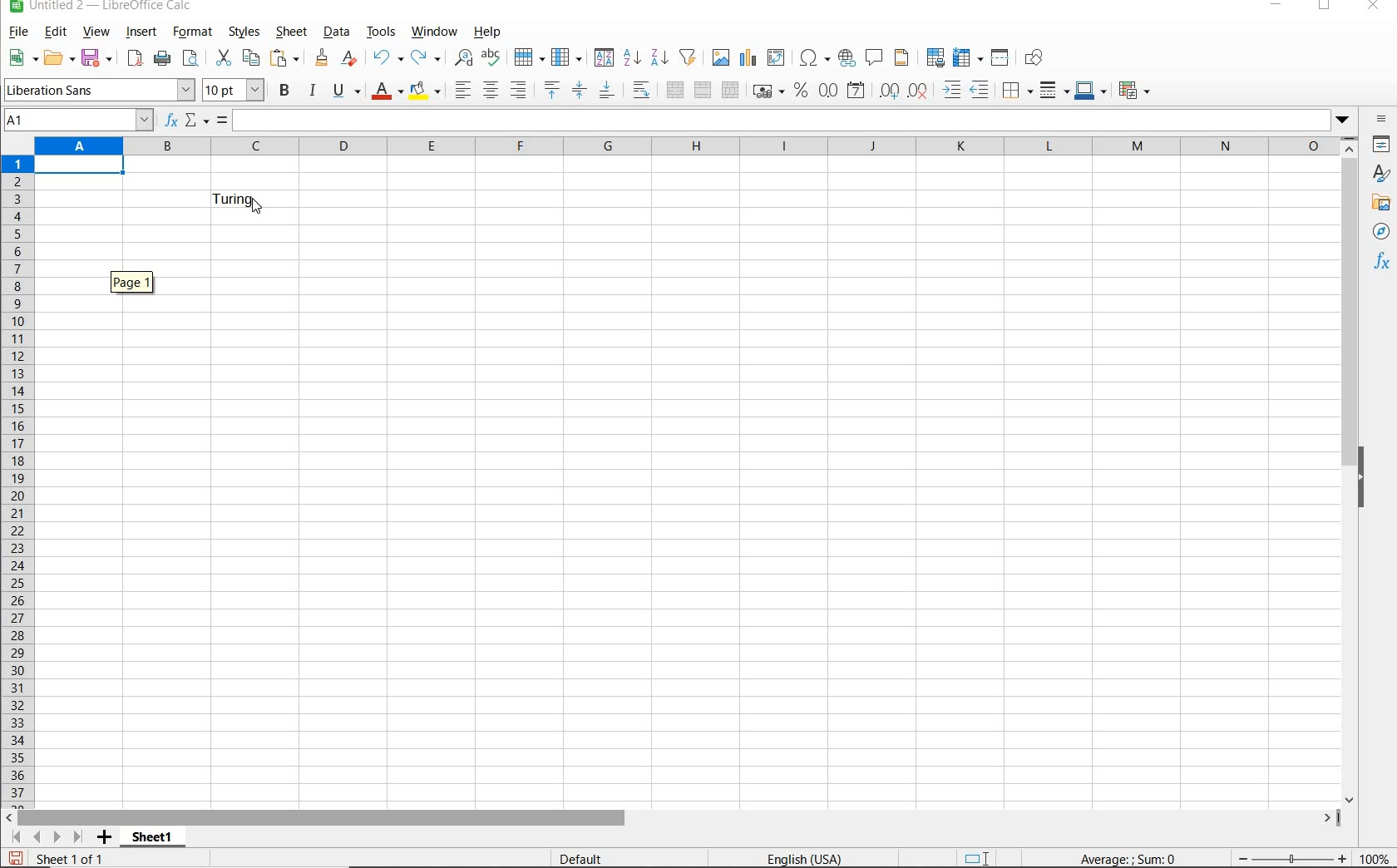 The image size is (1397, 868). I want to click on UNMERGE CELLS, so click(731, 89).